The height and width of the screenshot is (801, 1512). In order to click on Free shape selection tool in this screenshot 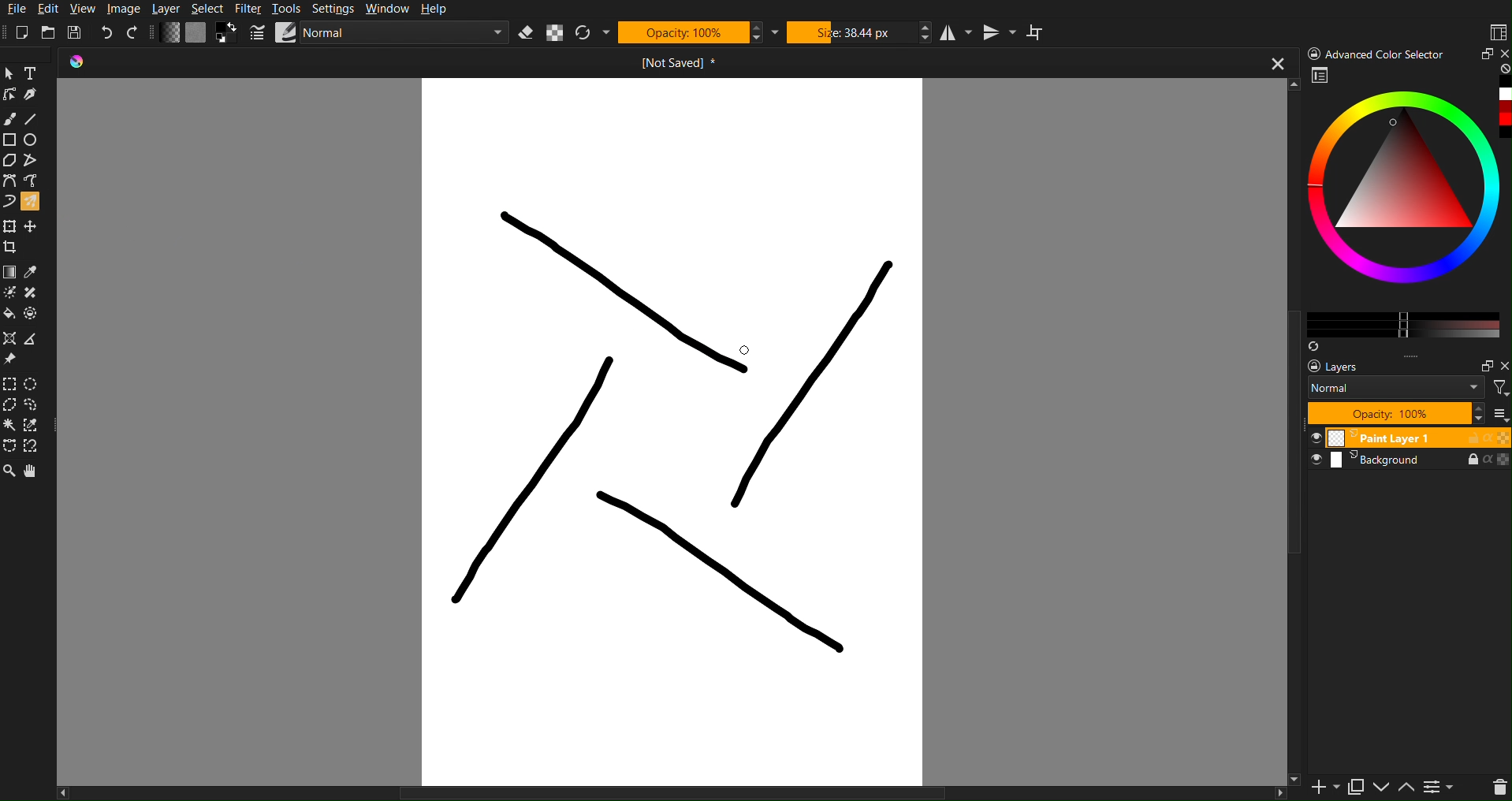, I will do `click(37, 404)`.